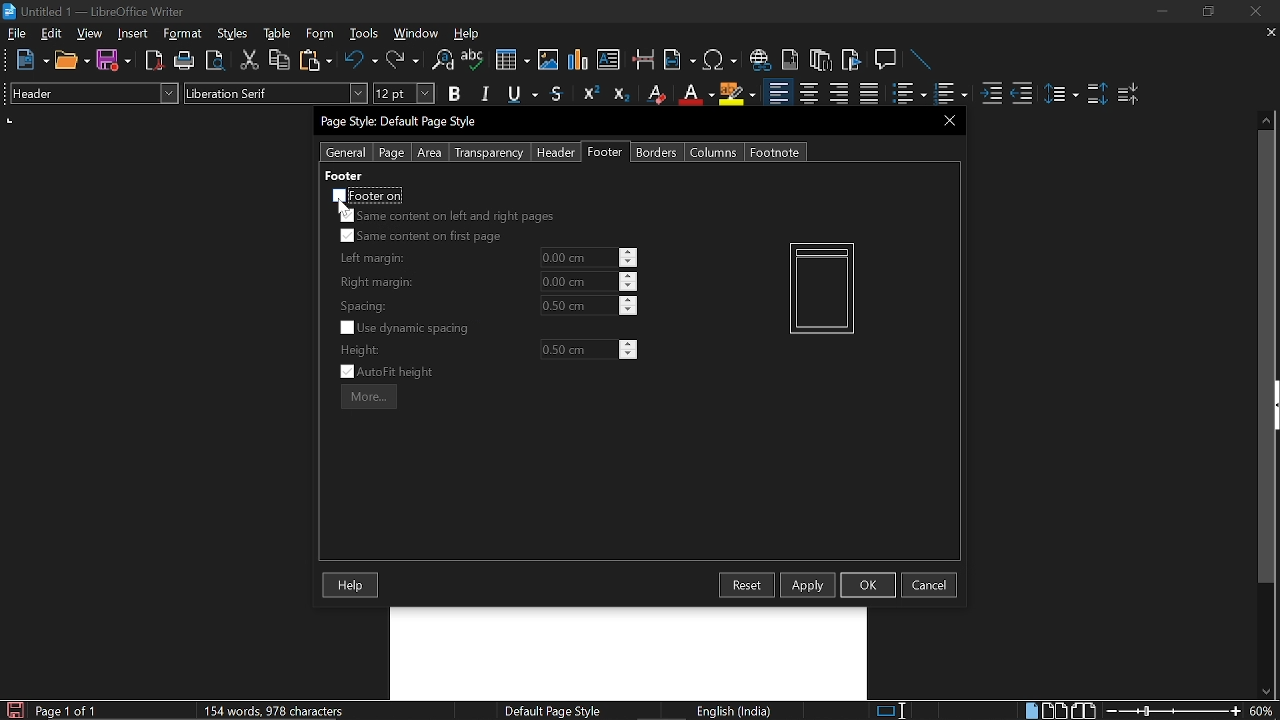 The width and height of the screenshot is (1280, 720). I want to click on NEw, so click(31, 60).